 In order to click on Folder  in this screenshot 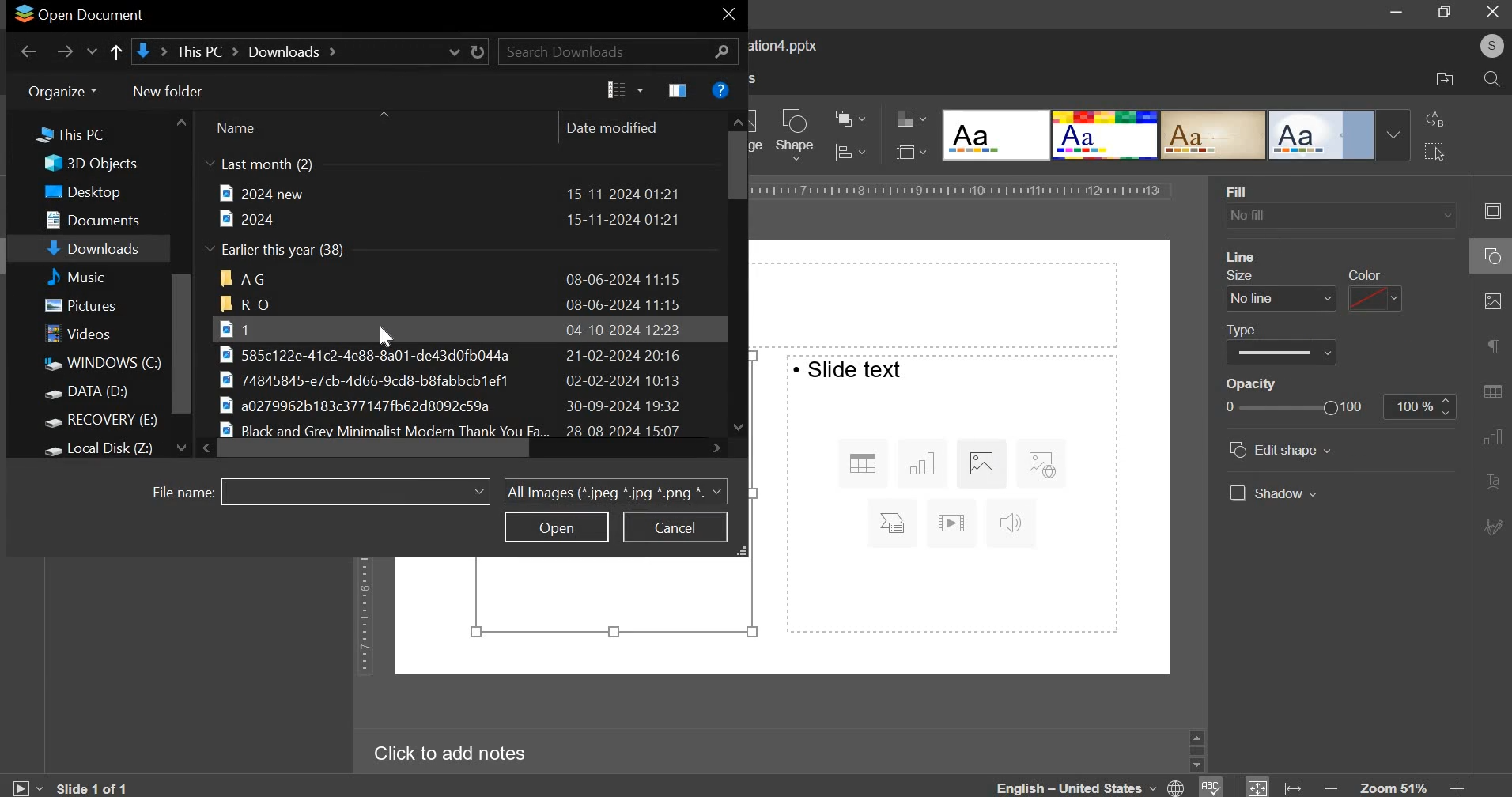, I will do `click(451, 304)`.